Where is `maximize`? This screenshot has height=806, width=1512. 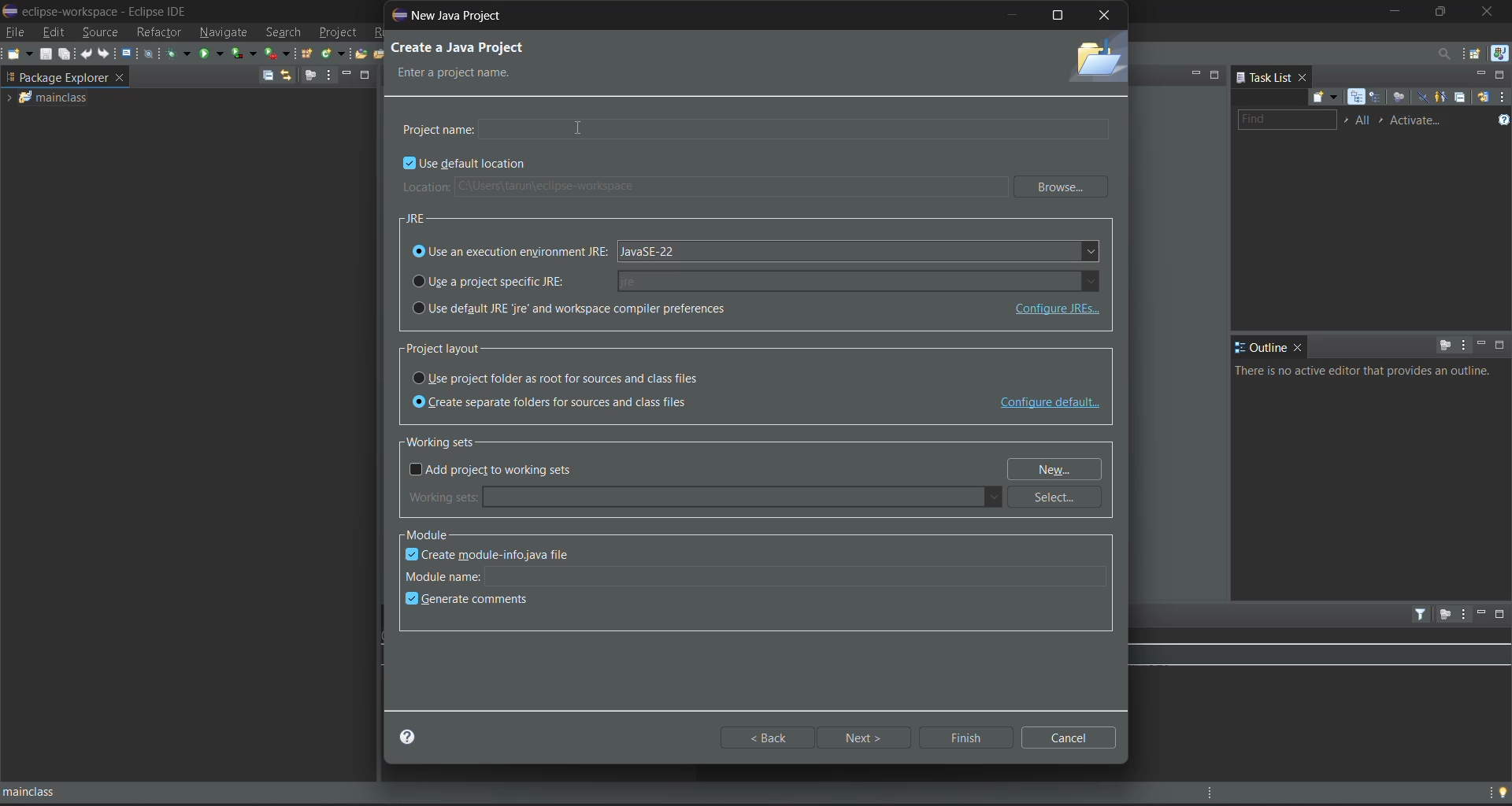
maximize is located at coordinates (1216, 73).